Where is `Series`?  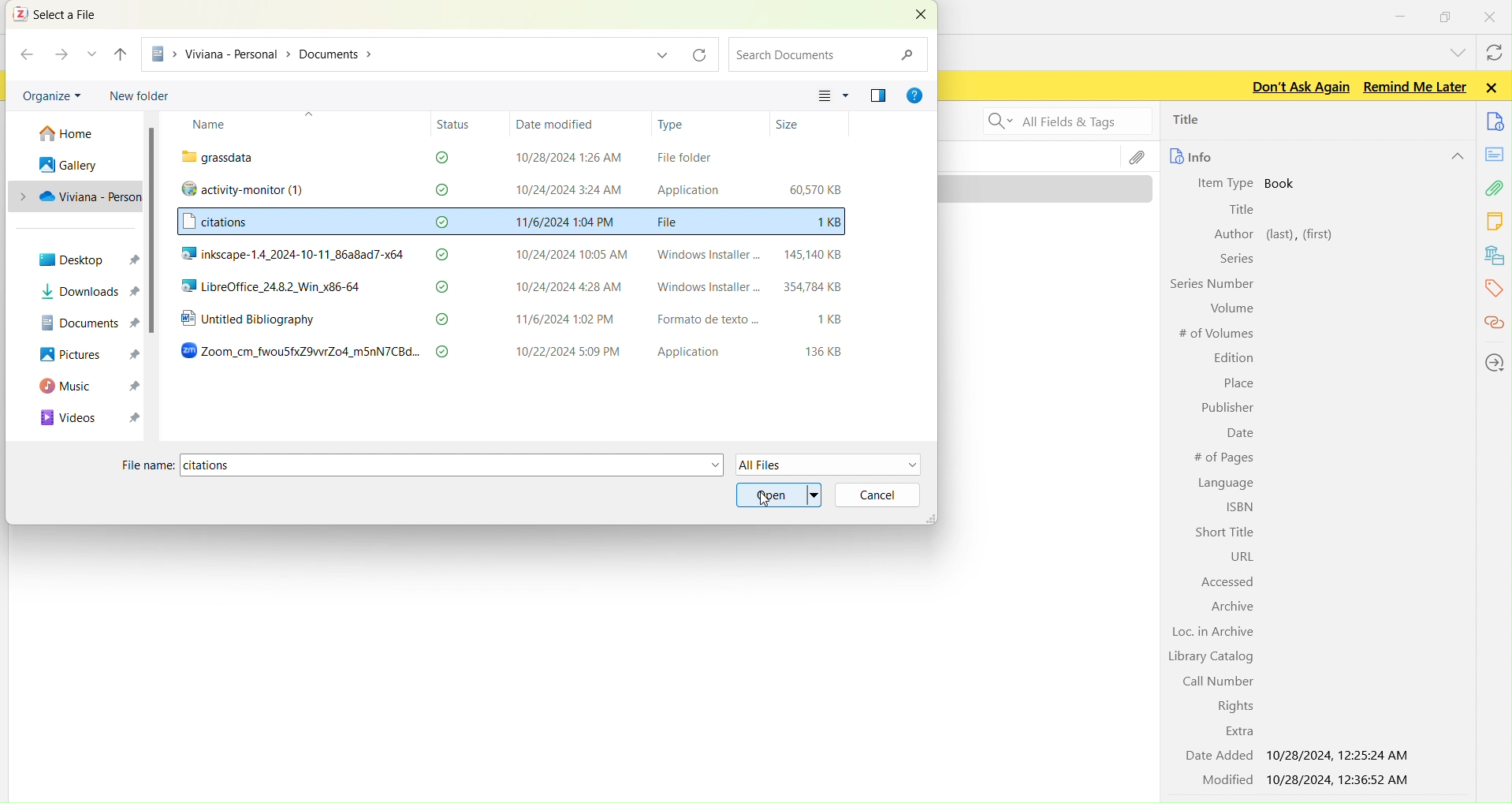 Series is located at coordinates (1235, 260).